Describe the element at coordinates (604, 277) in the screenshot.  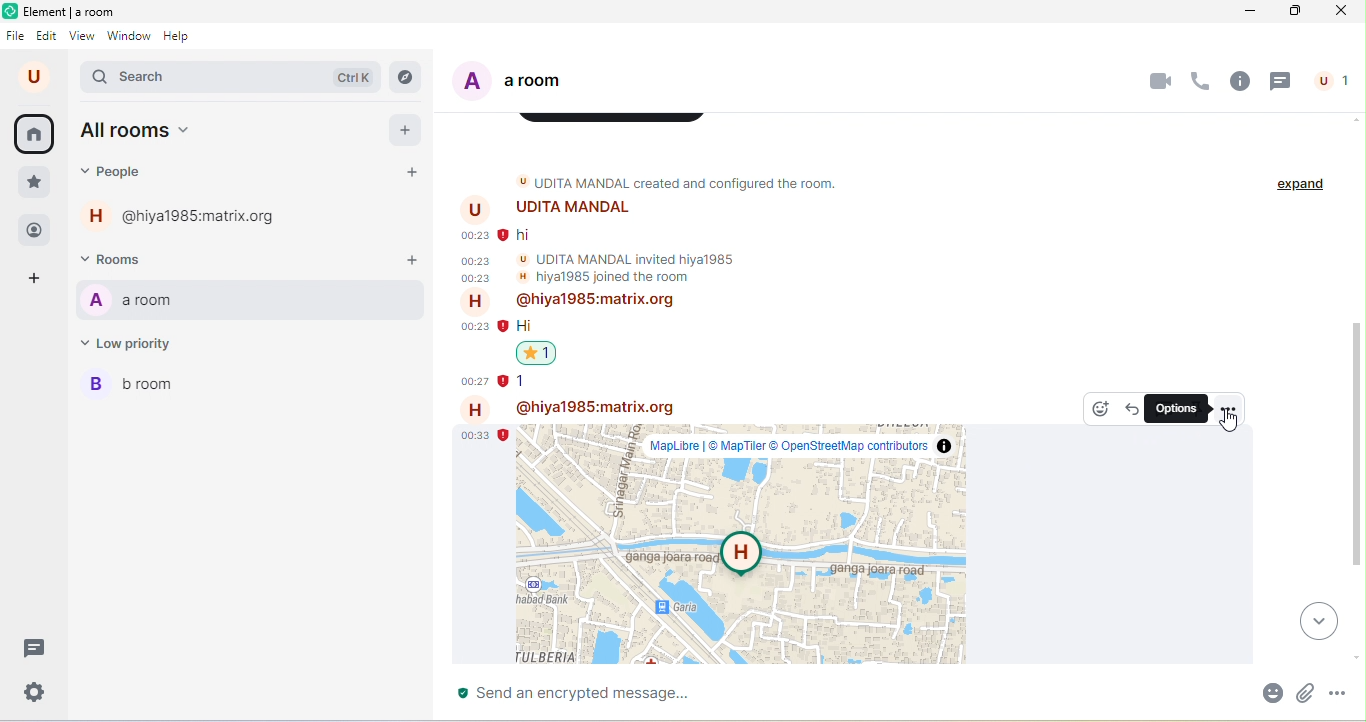
I see `hiya1985 joined the room` at that location.